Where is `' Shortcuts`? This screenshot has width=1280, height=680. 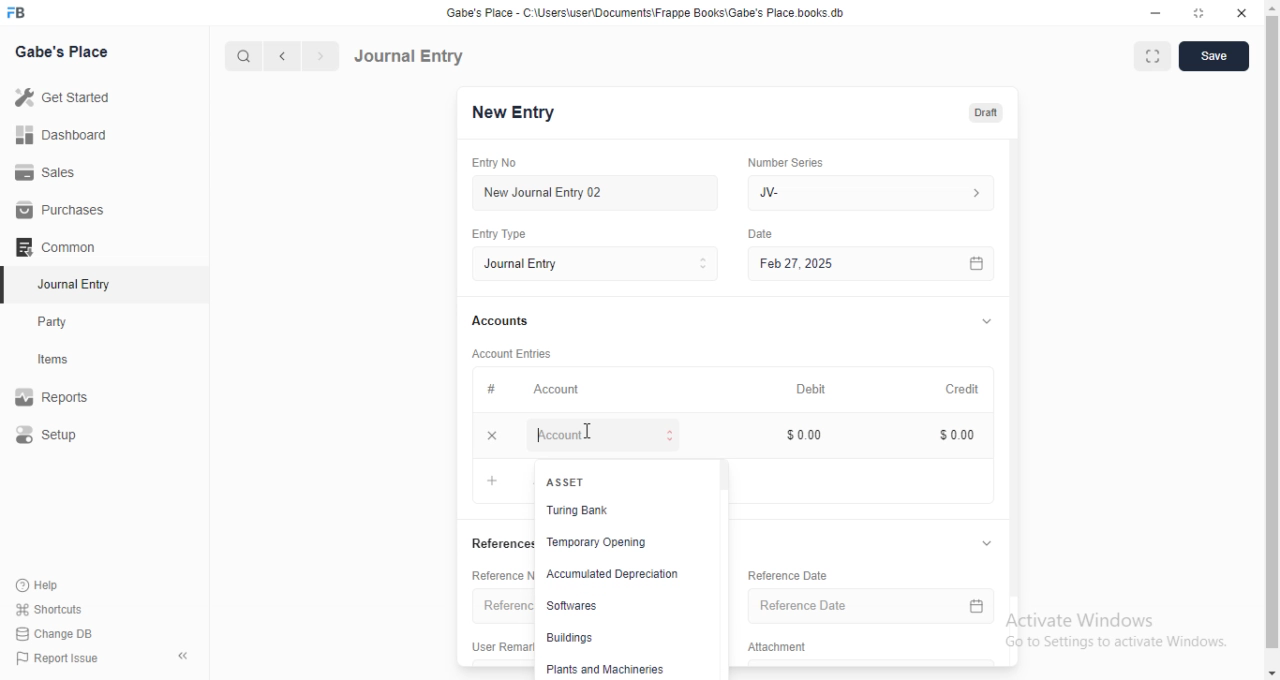 ' Shortcuts is located at coordinates (50, 608).